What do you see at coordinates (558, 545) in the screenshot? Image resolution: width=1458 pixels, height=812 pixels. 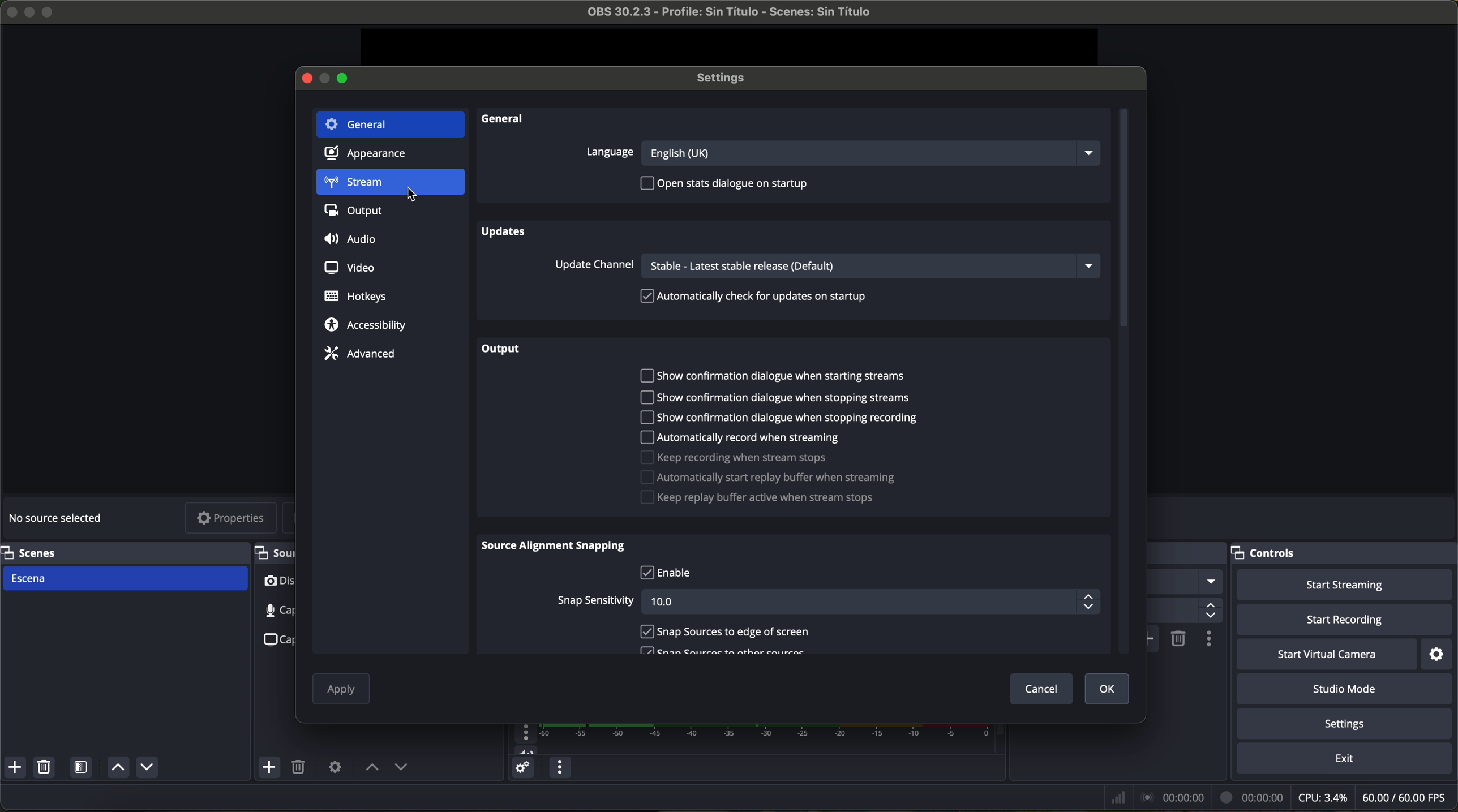 I see `source alignment snapping` at bounding box center [558, 545].